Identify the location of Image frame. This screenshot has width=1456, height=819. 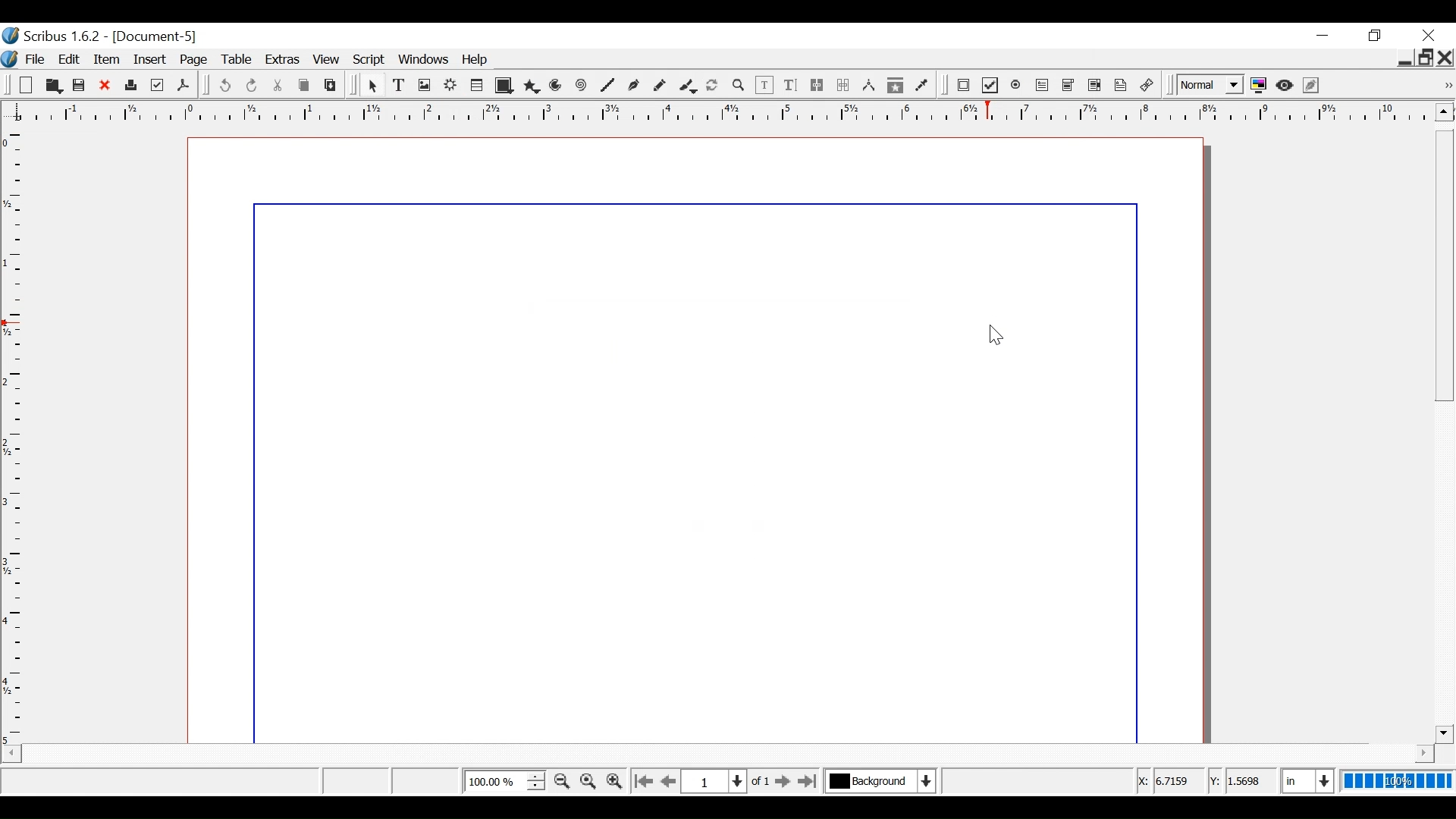
(425, 85).